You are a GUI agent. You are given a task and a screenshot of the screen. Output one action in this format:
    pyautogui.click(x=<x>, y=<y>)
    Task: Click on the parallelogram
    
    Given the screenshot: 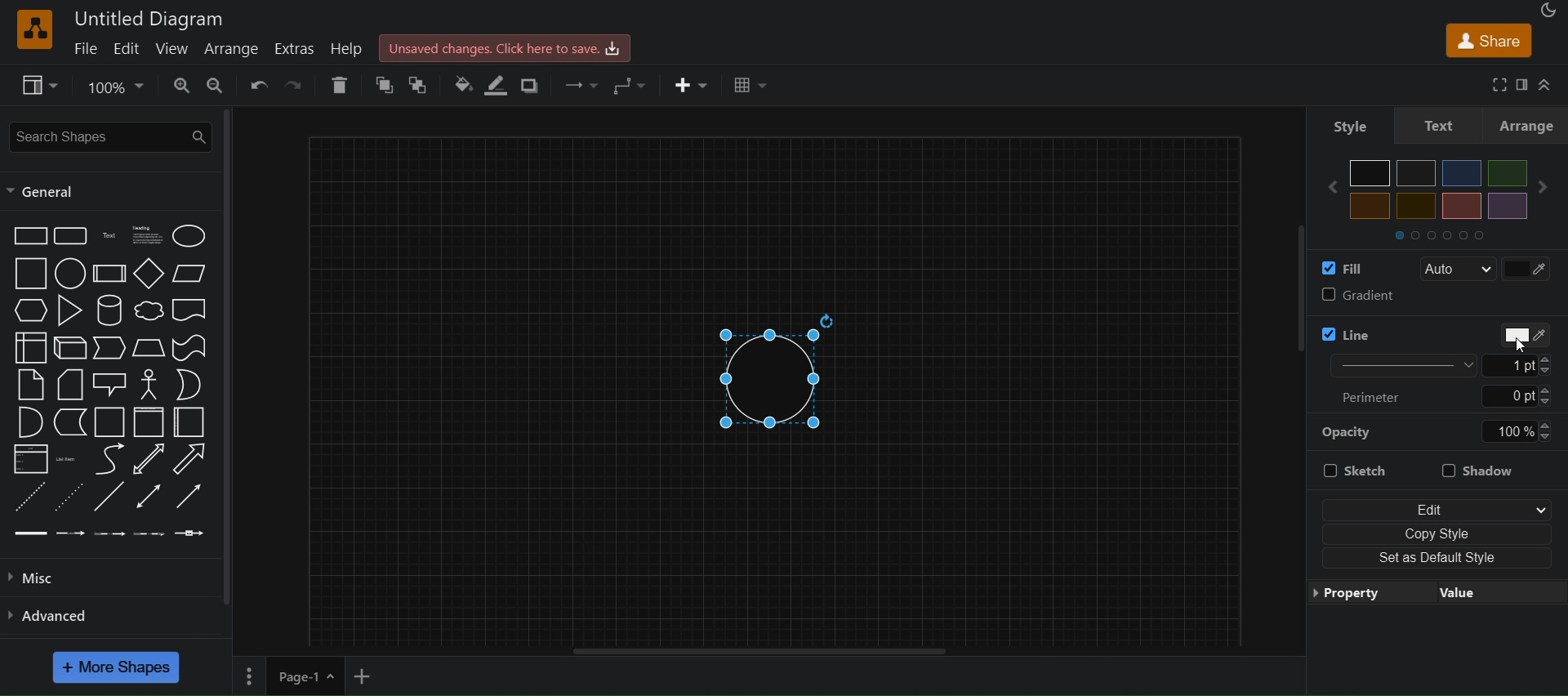 What is the action you would take?
    pyautogui.click(x=193, y=273)
    